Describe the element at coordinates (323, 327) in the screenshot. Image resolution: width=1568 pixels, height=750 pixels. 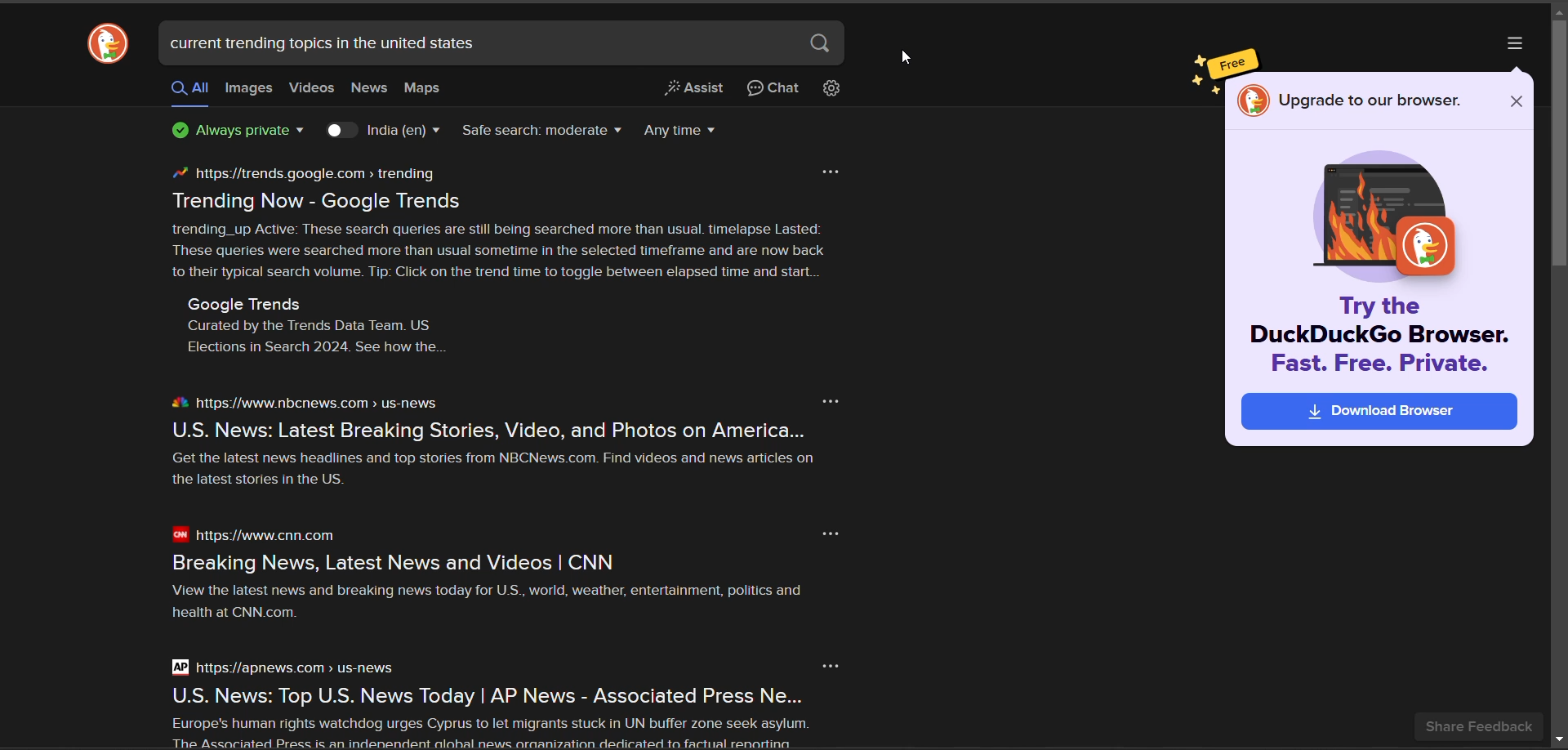
I see `Google Trends
Curated by the Trends Data Team. US
Elections in Search 2024. See how the.` at that location.